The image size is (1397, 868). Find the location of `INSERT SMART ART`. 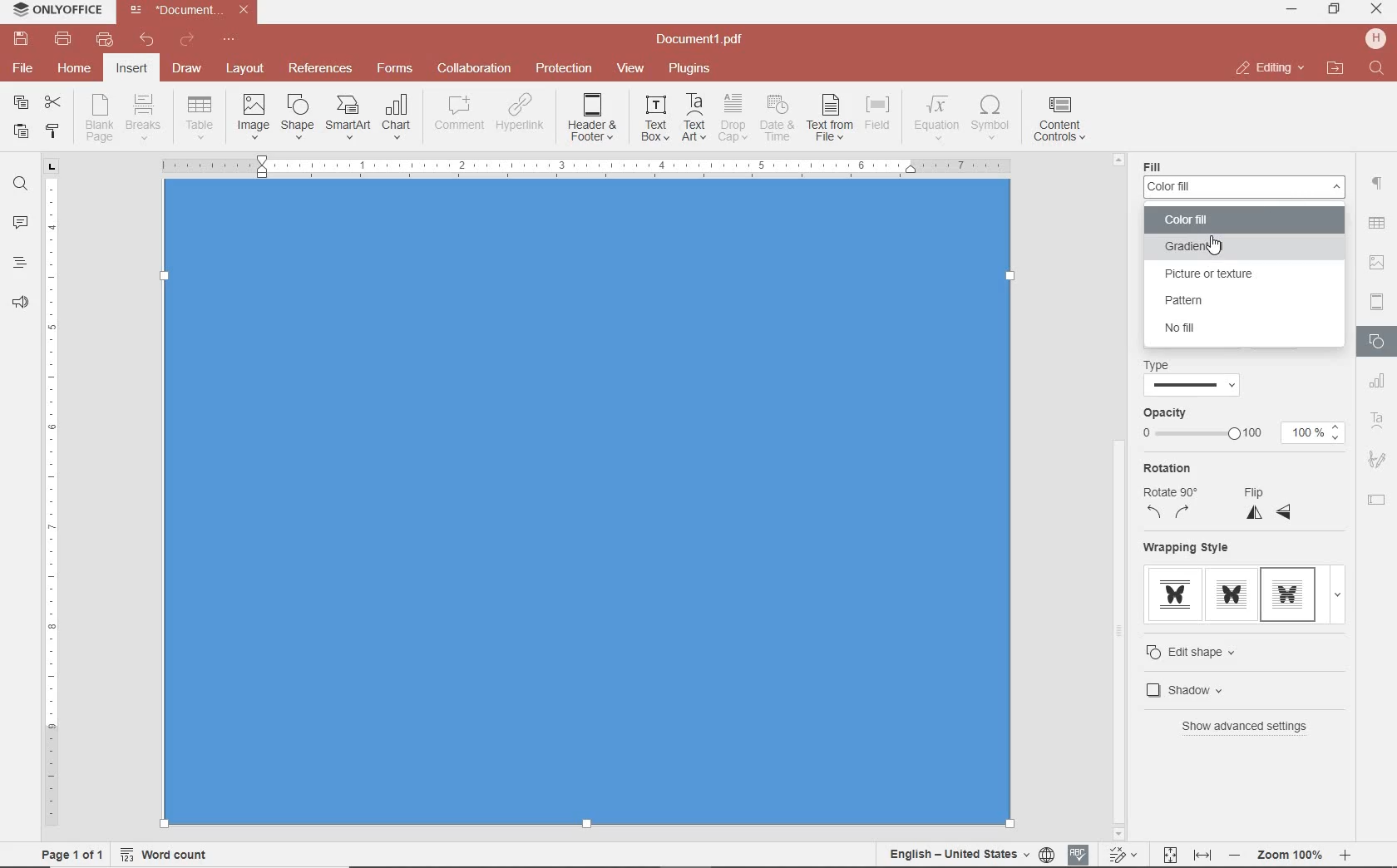

INSERT SMART ART is located at coordinates (348, 116).